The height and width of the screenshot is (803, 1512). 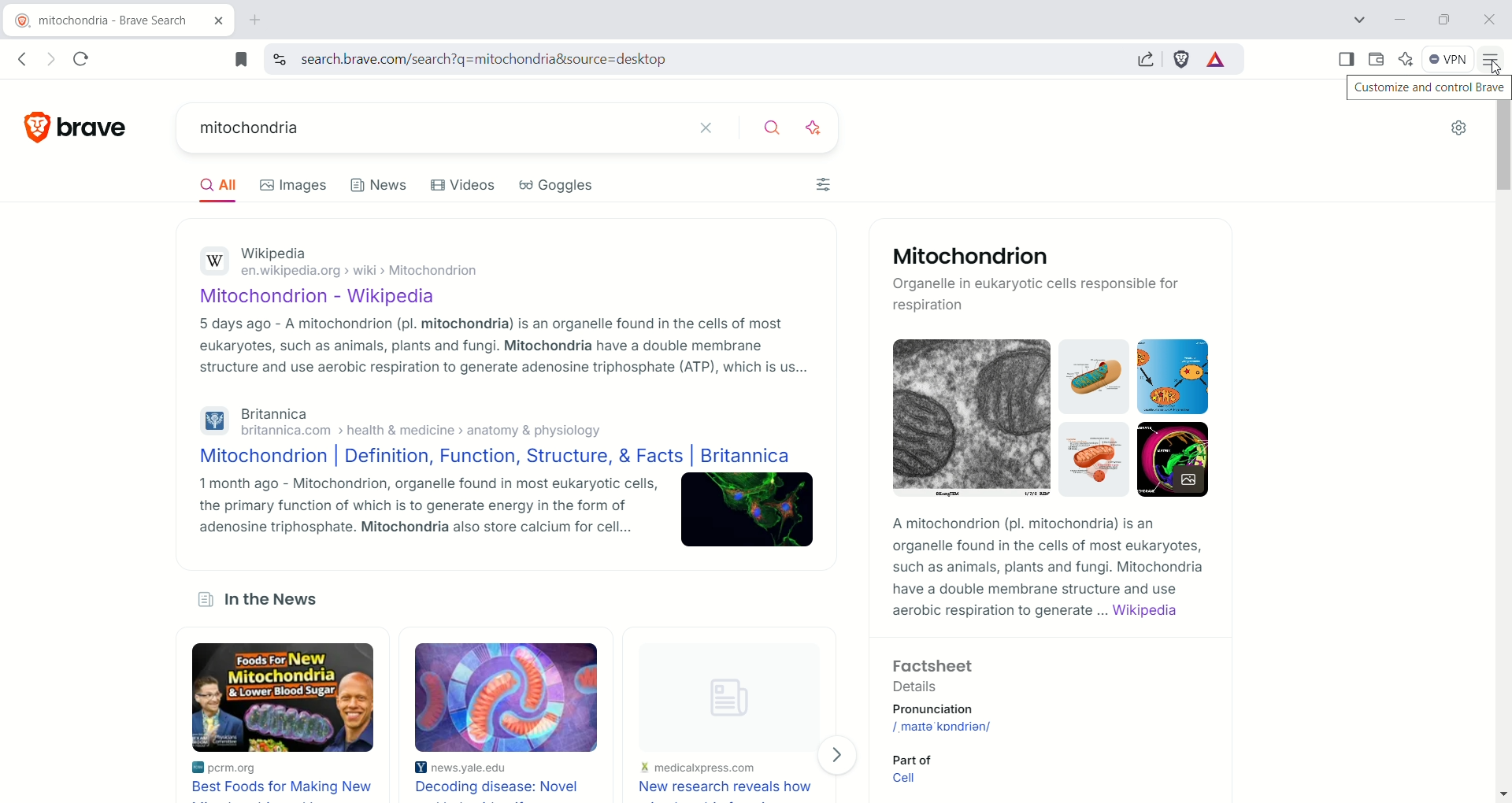 What do you see at coordinates (51, 58) in the screenshot?
I see `go forward` at bounding box center [51, 58].